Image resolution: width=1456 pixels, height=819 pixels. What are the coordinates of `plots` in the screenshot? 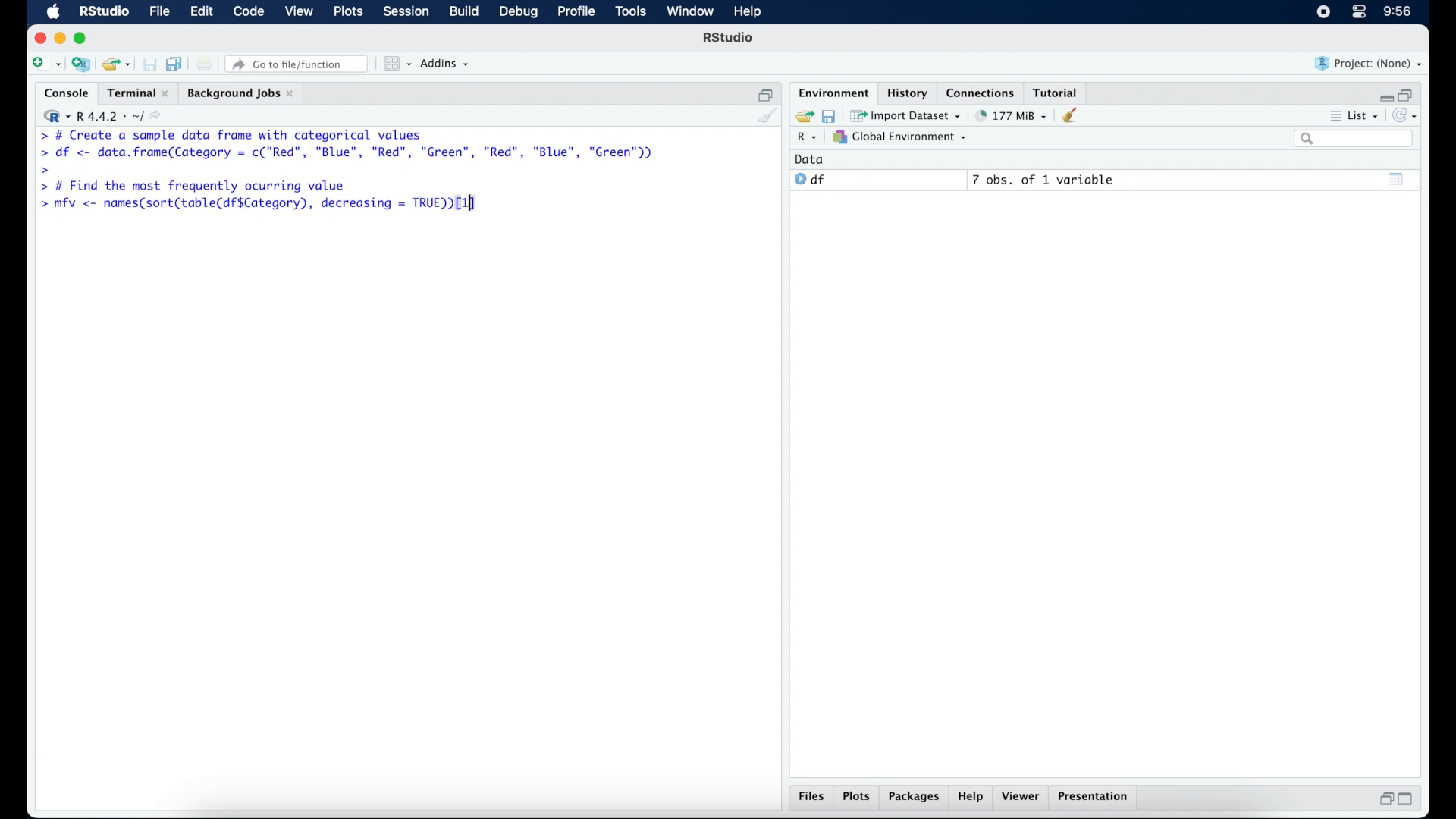 It's located at (857, 798).